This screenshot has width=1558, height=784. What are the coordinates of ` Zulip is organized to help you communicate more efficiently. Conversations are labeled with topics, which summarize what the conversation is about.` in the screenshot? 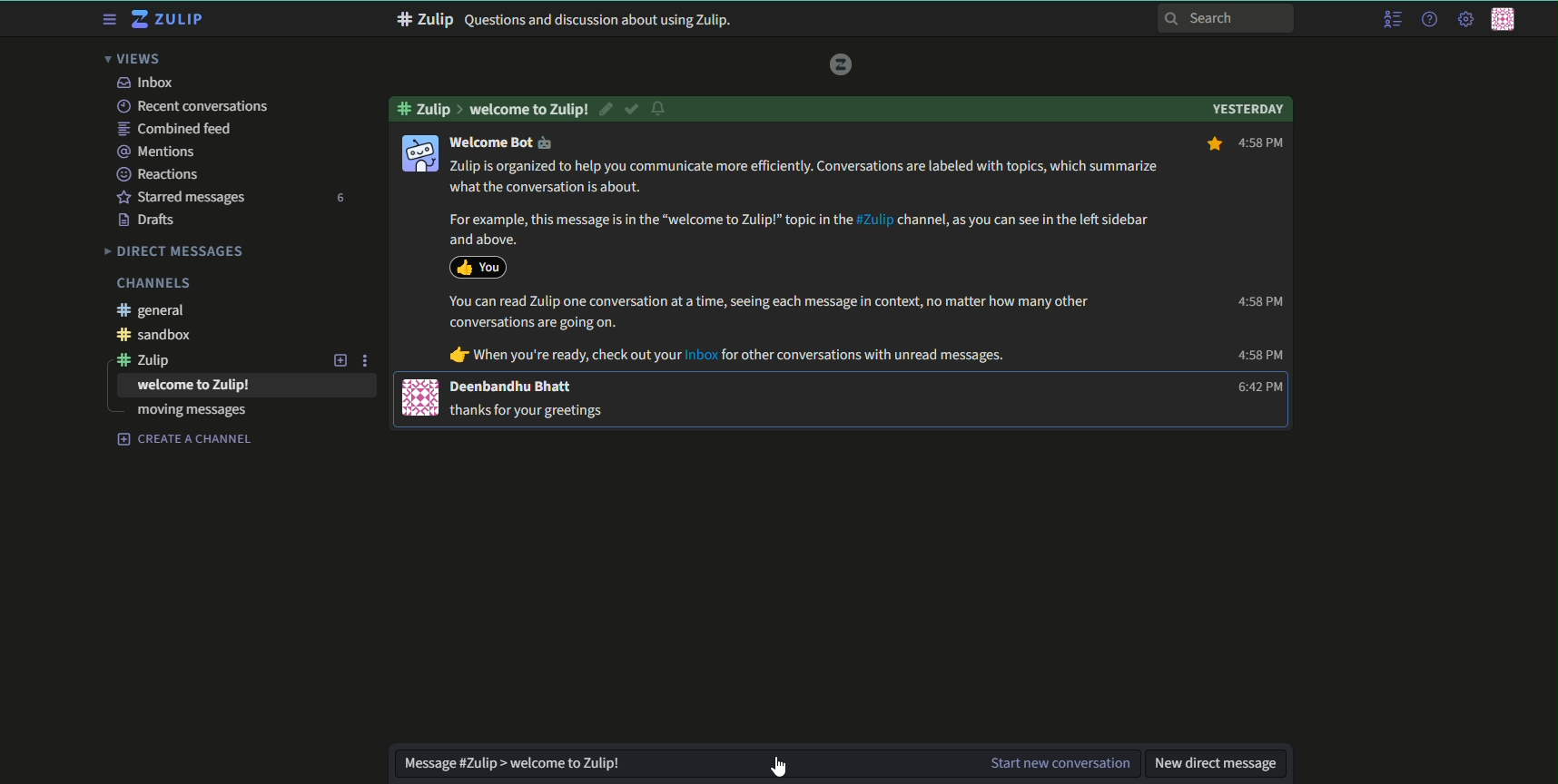 It's located at (807, 177).